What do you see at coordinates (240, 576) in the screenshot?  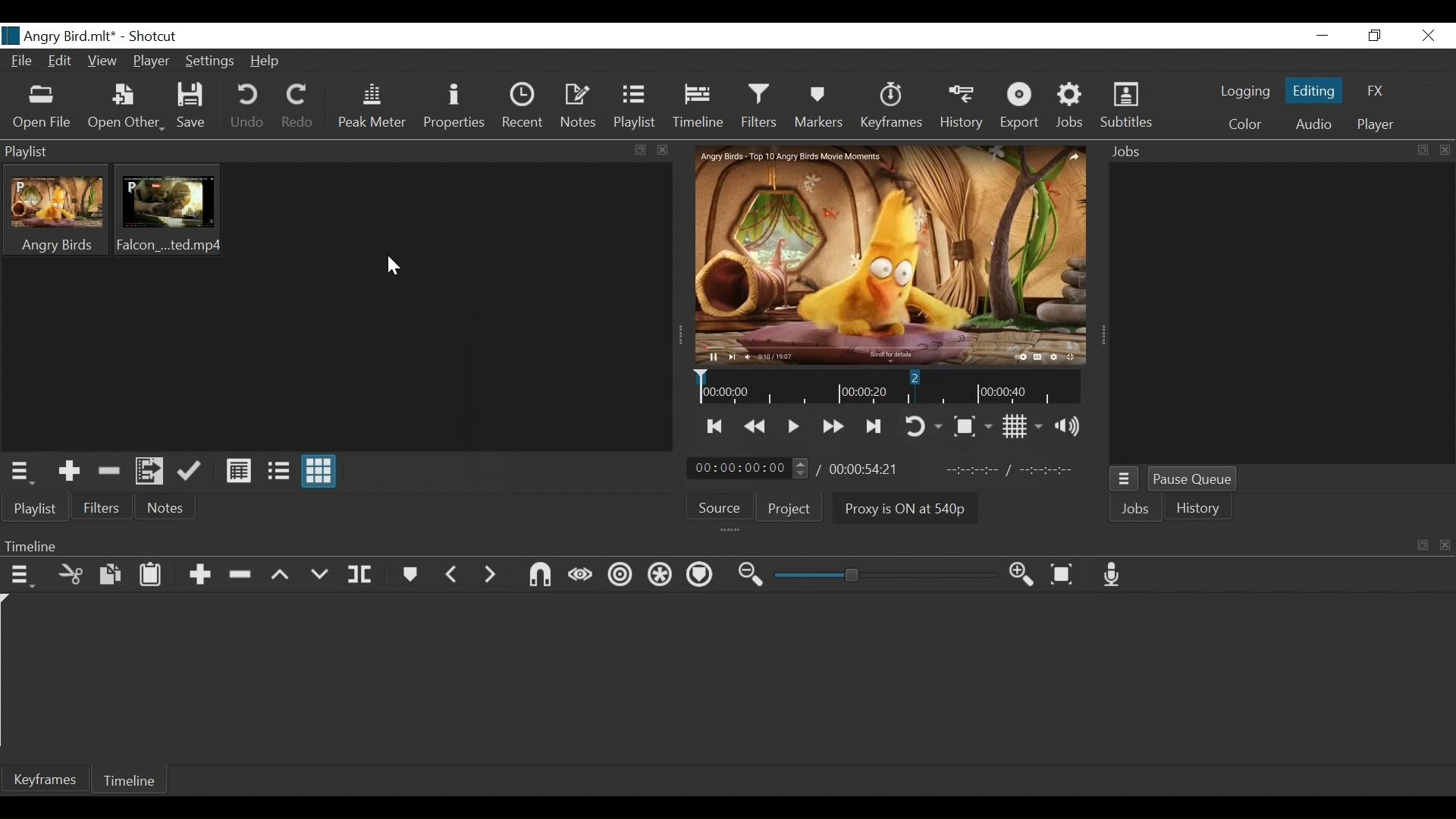 I see `Ripple delete` at bounding box center [240, 576].